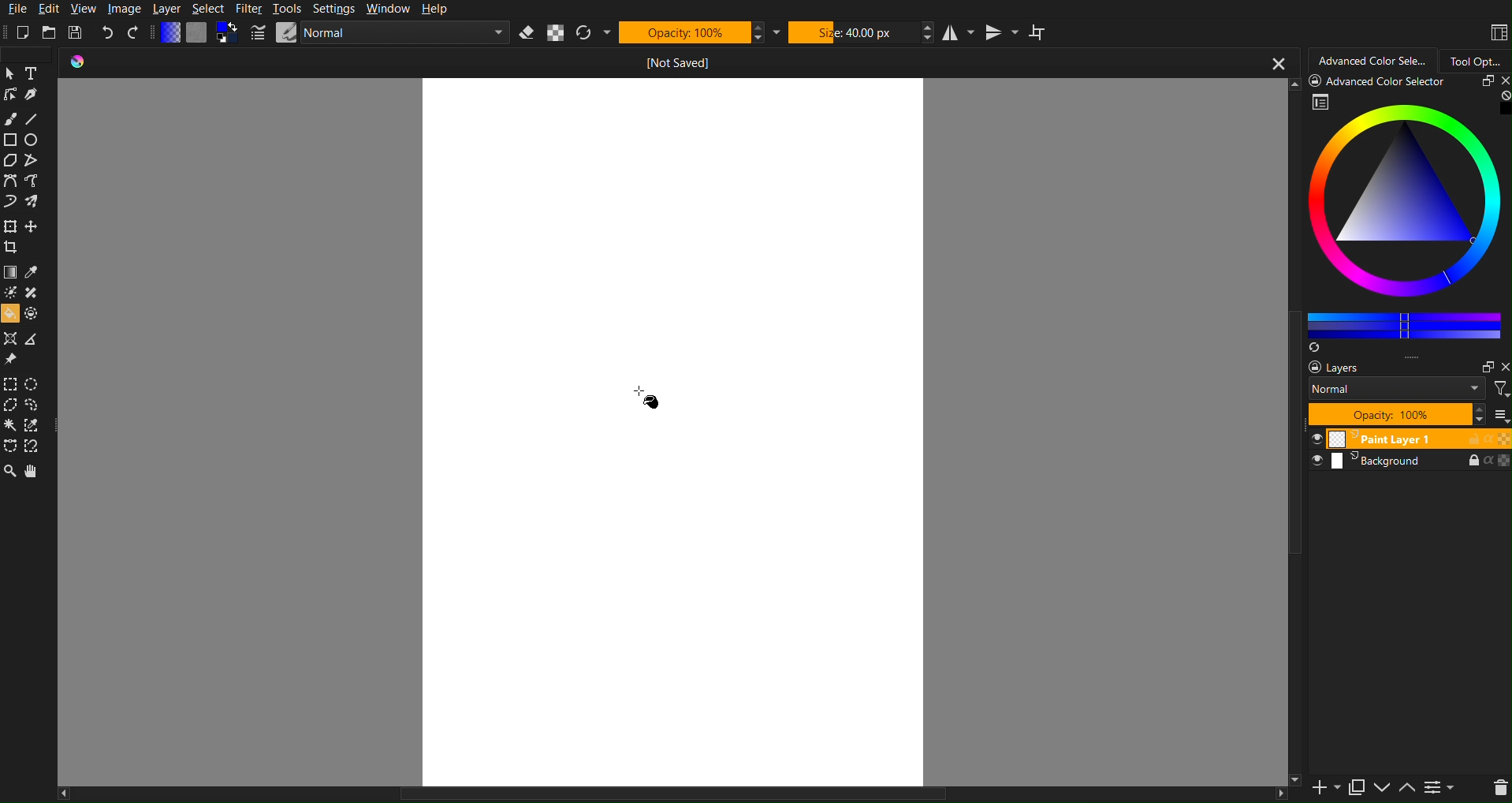 The height and width of the screenshot is (803, 1512). Describe the element at coordinates (1381, 786) in the screenshot. I see `Send Under` at that location.